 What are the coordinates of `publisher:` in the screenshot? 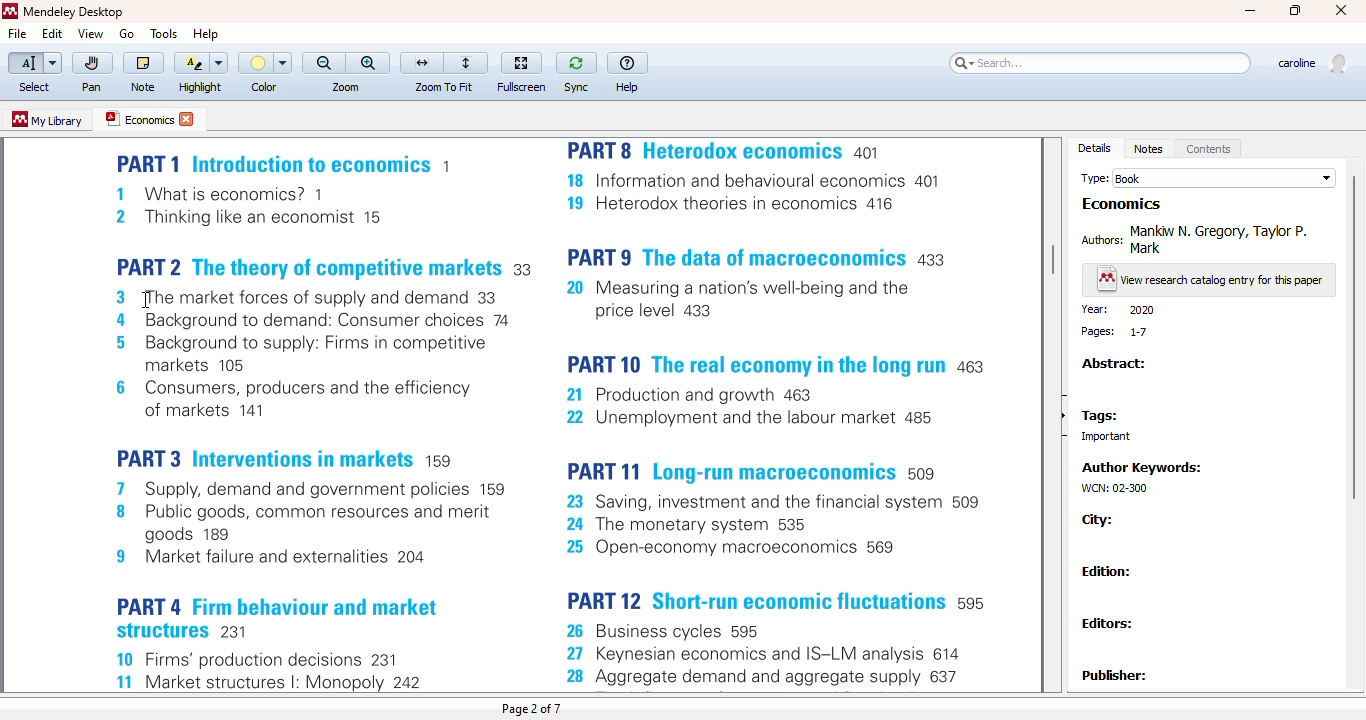 It's located at (1117, 675).